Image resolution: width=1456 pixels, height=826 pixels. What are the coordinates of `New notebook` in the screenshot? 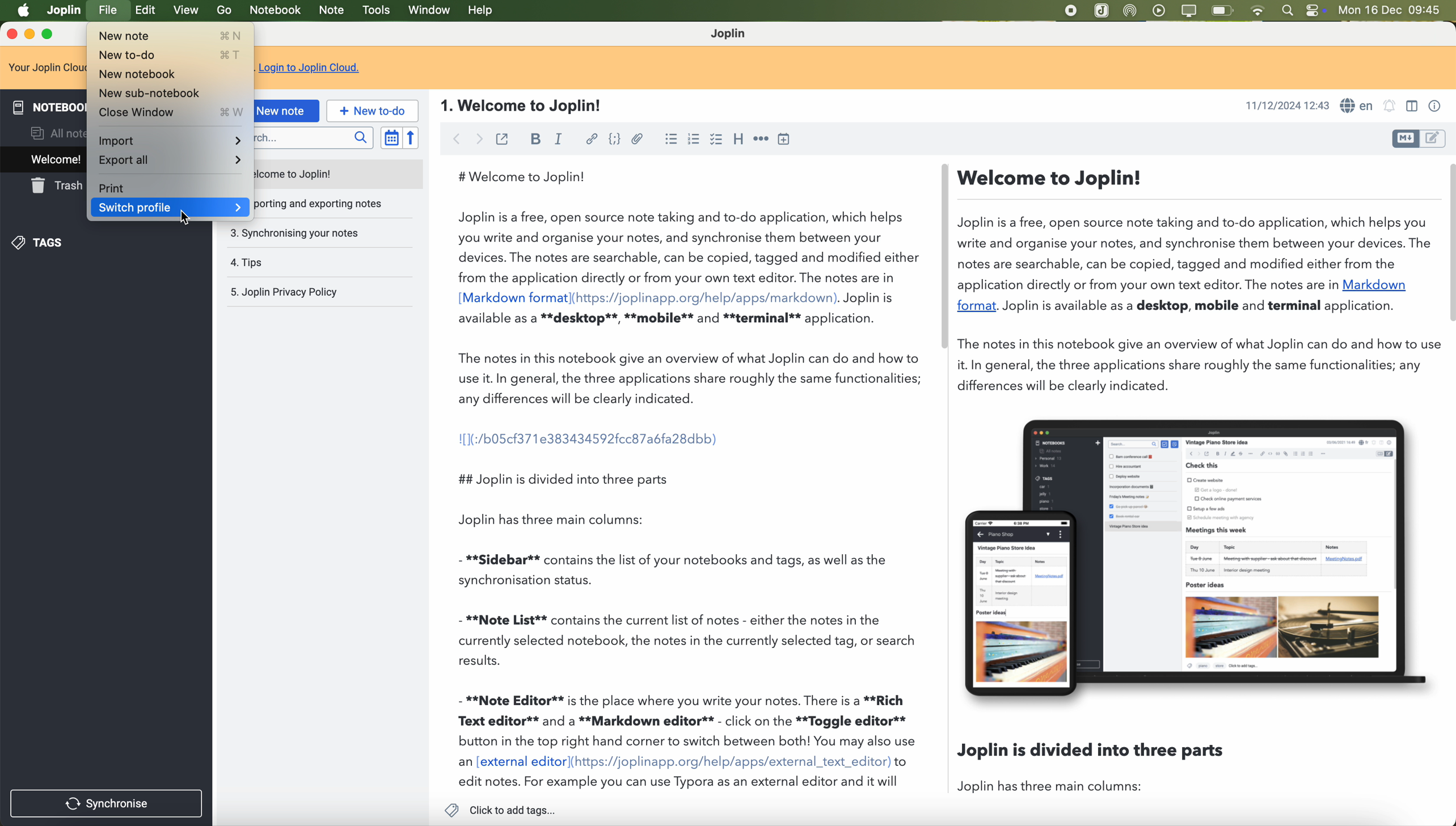 It's located at (171, 73).